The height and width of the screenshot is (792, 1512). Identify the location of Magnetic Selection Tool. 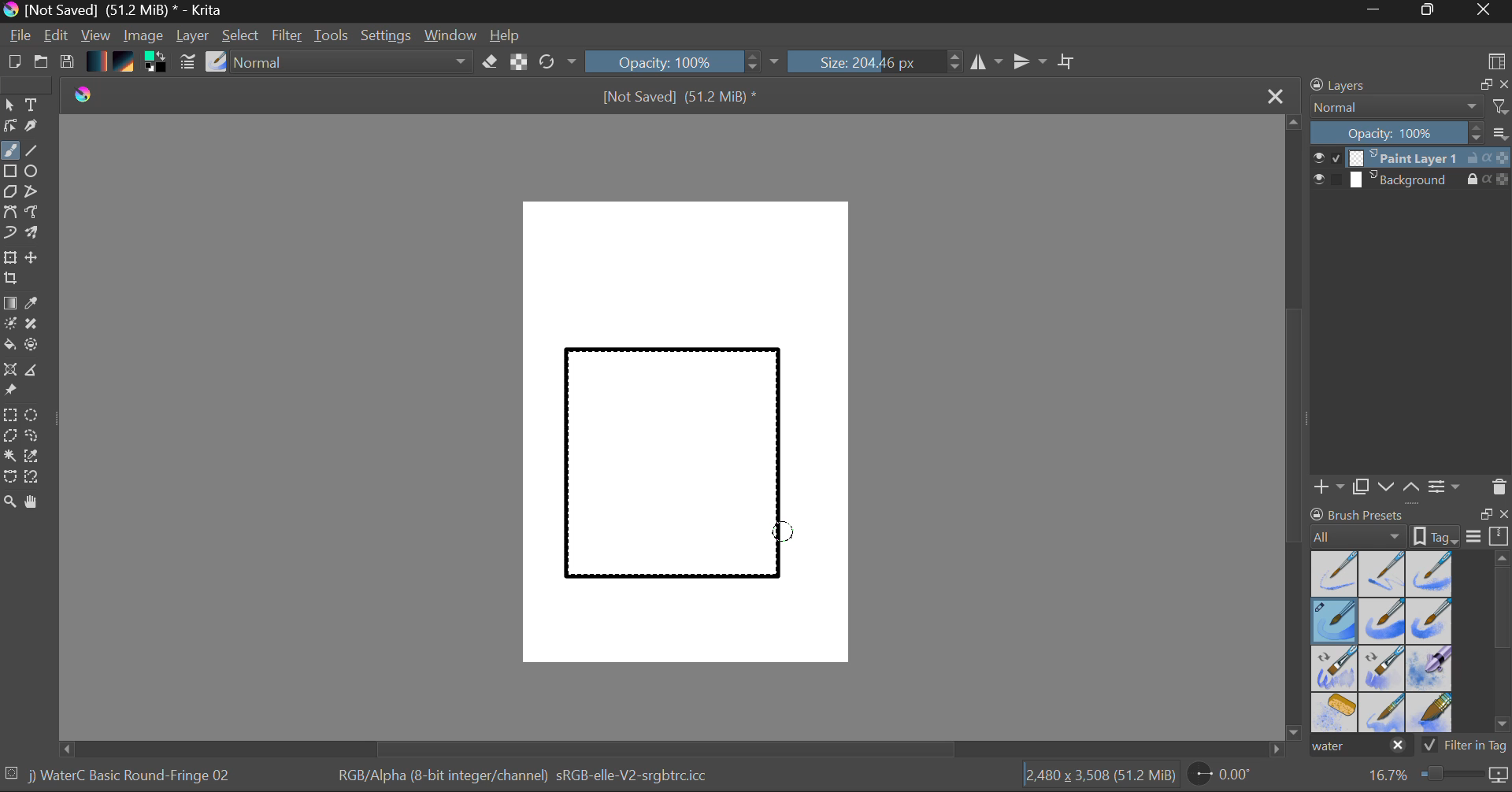
(32, 477).